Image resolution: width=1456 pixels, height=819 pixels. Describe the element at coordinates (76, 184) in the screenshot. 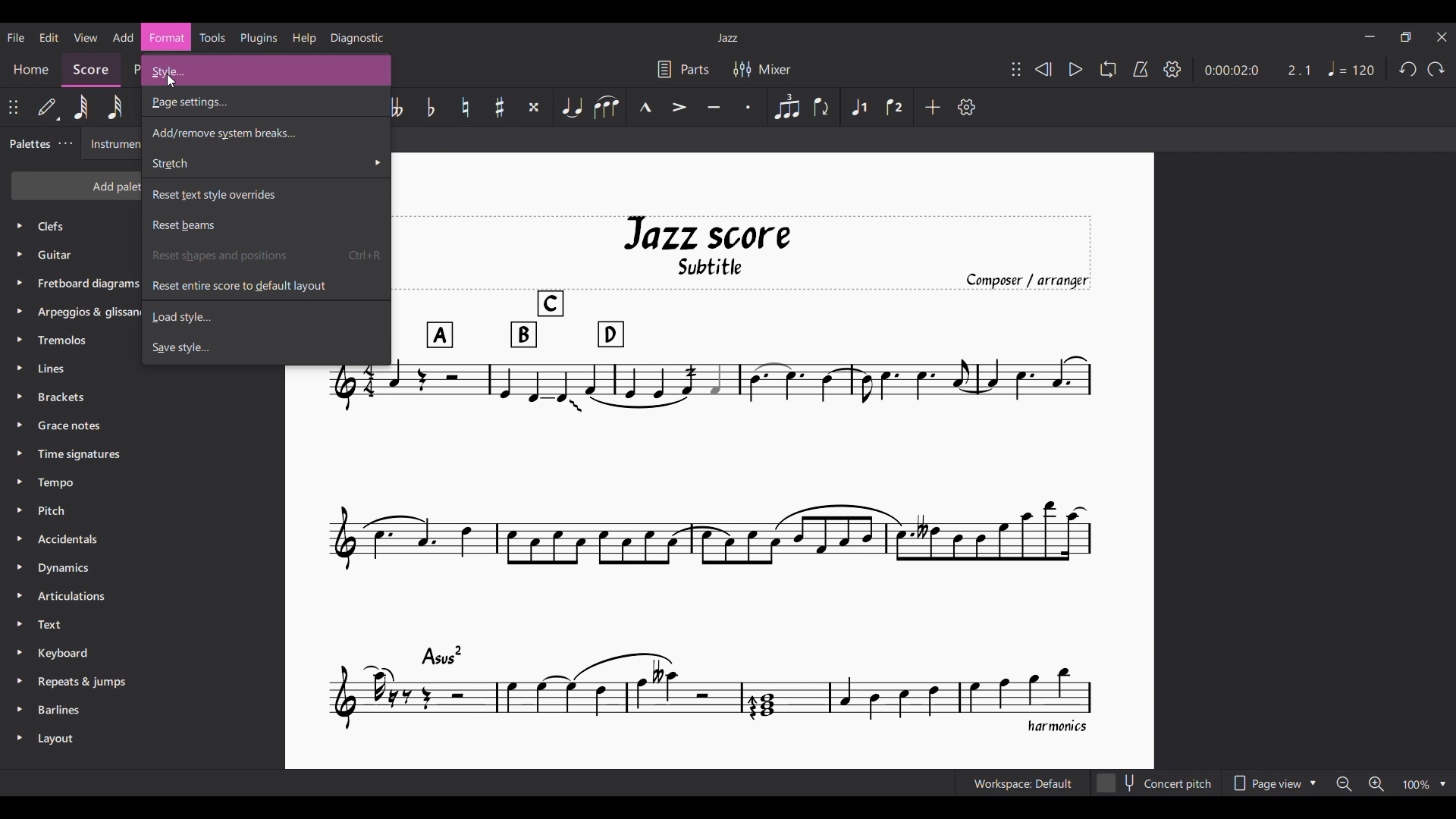

I see `Add palettes` at that location.